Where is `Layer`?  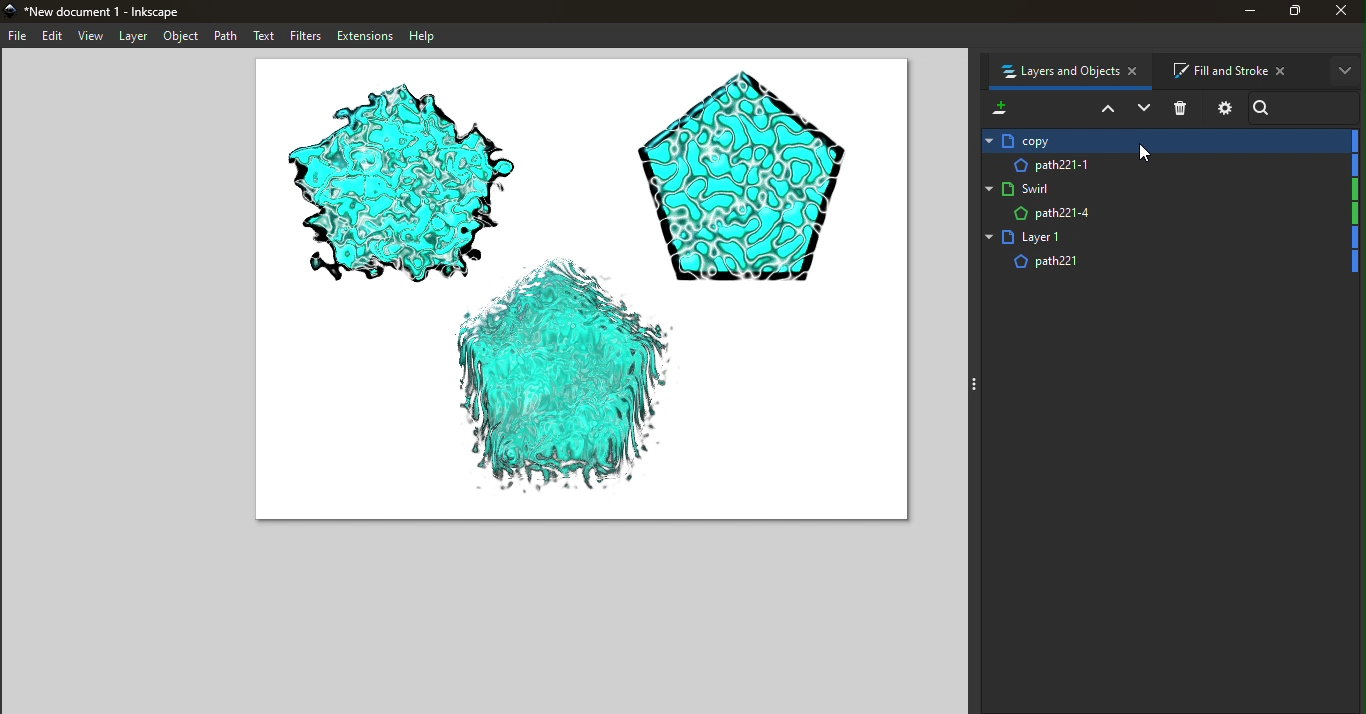
Layer is located at coordinates (1170, 188).